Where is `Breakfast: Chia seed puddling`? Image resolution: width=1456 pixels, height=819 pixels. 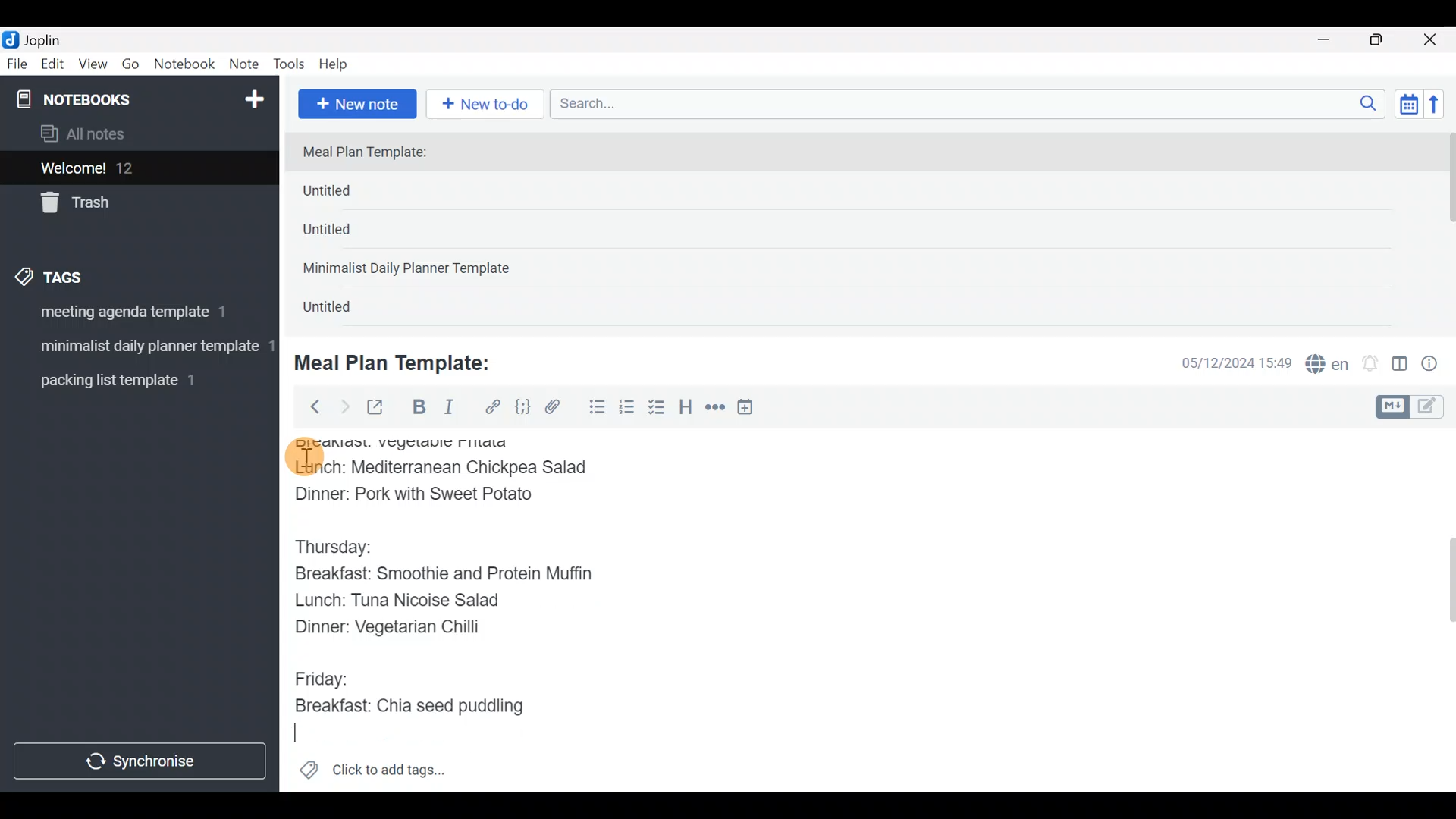 Breakfast: Chia seed puddling is located at coordinates (417, 705).